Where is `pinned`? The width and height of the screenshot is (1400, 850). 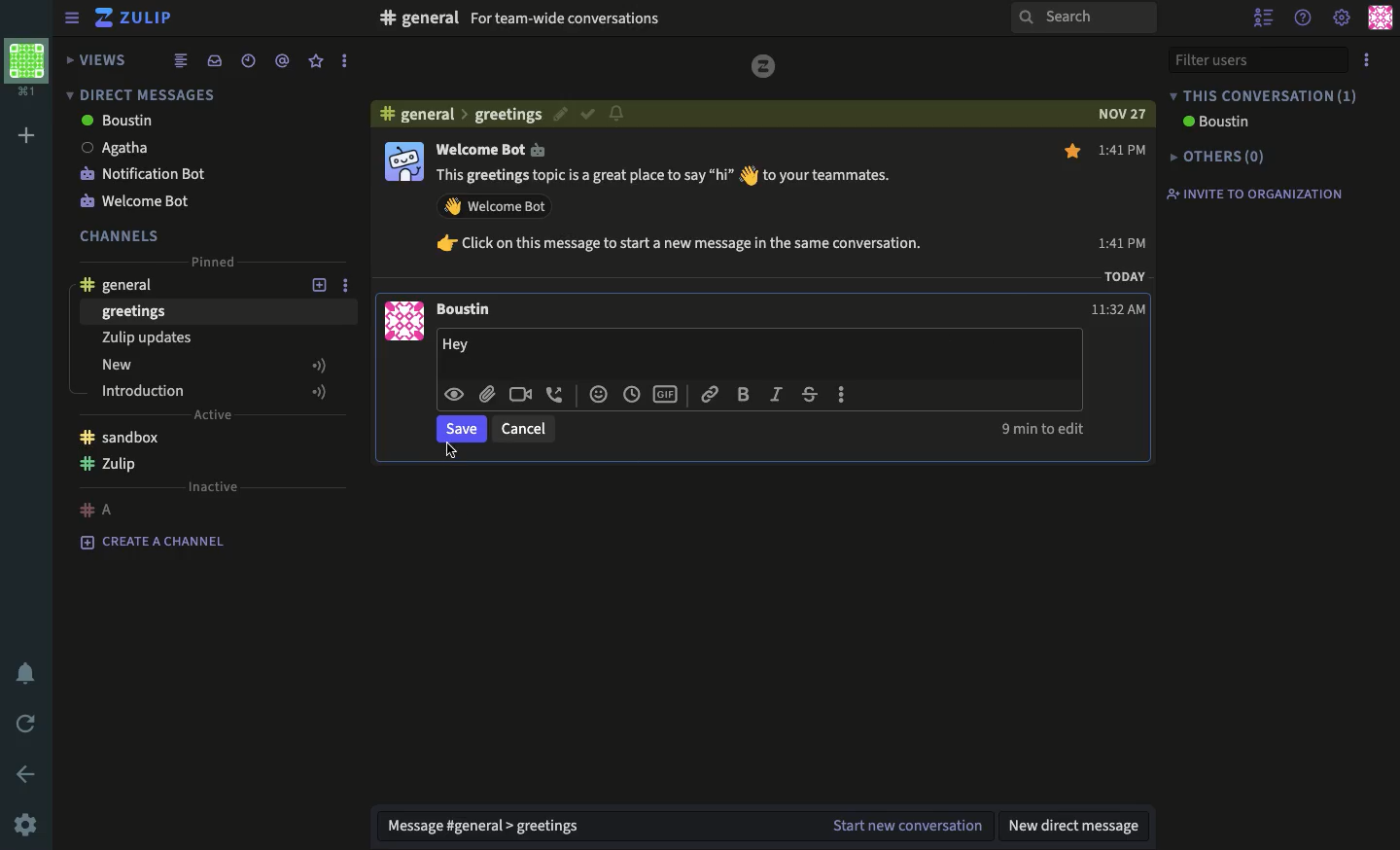 pinned is located at coordinates (215, 263).